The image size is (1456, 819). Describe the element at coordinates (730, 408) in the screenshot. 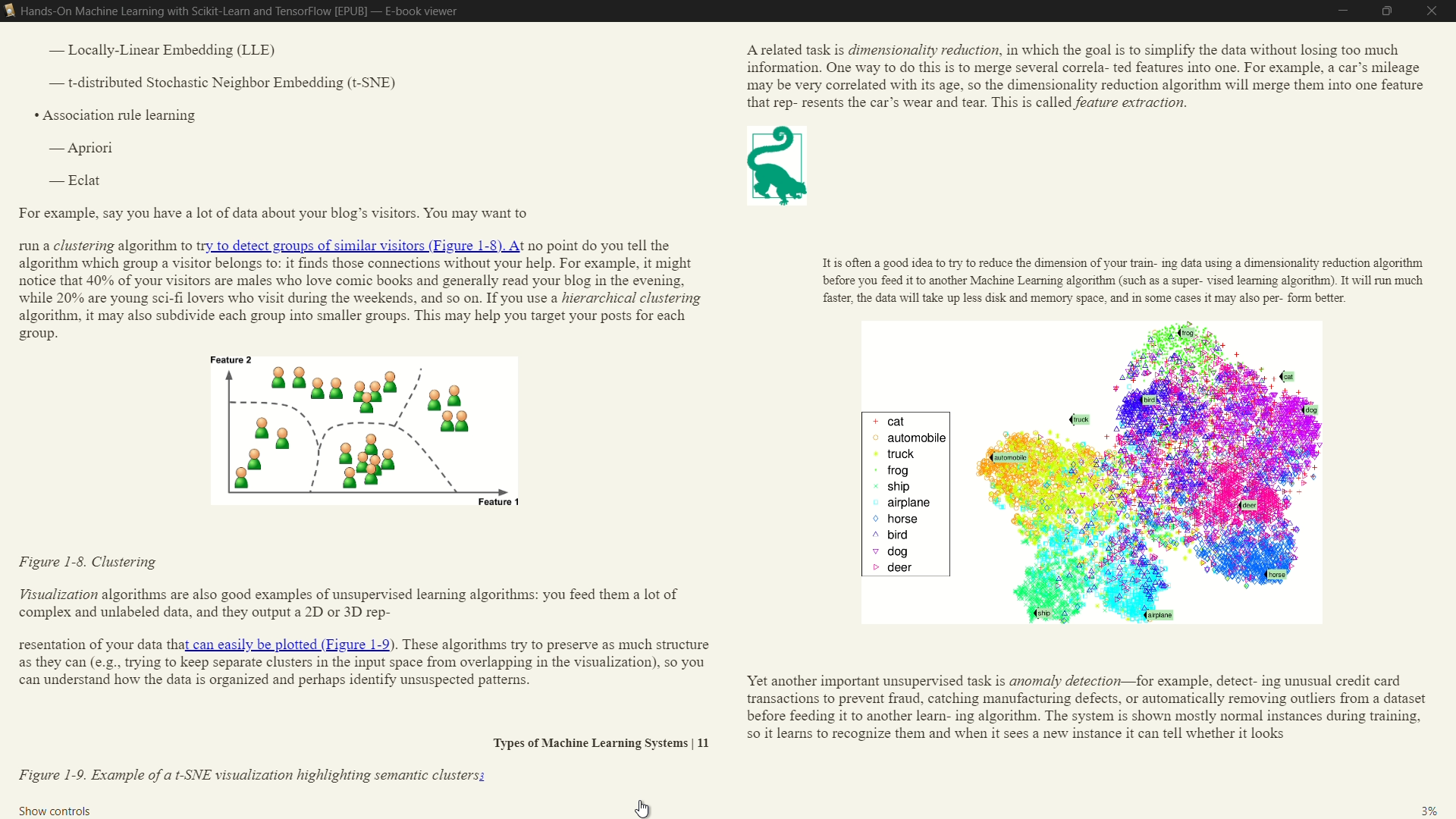

I see `book's content` at that location.